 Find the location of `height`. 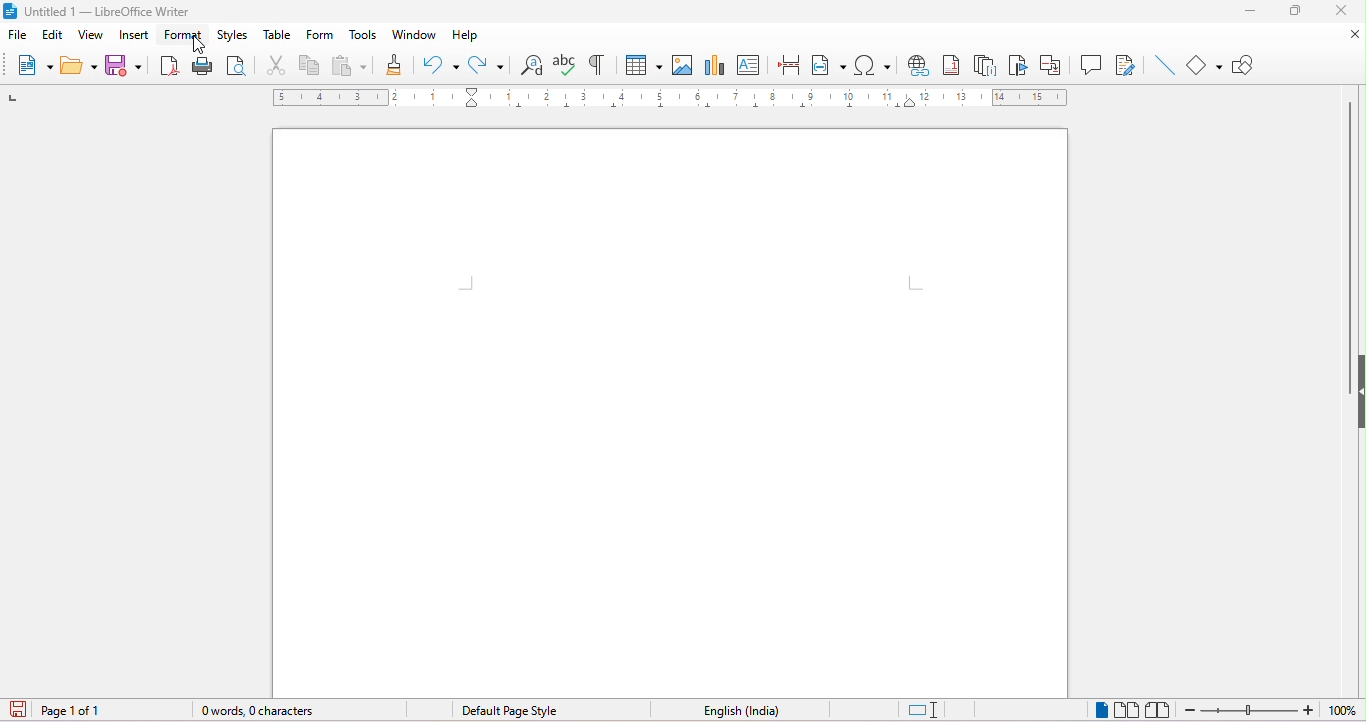

height is located at coordinates (1357, 385).